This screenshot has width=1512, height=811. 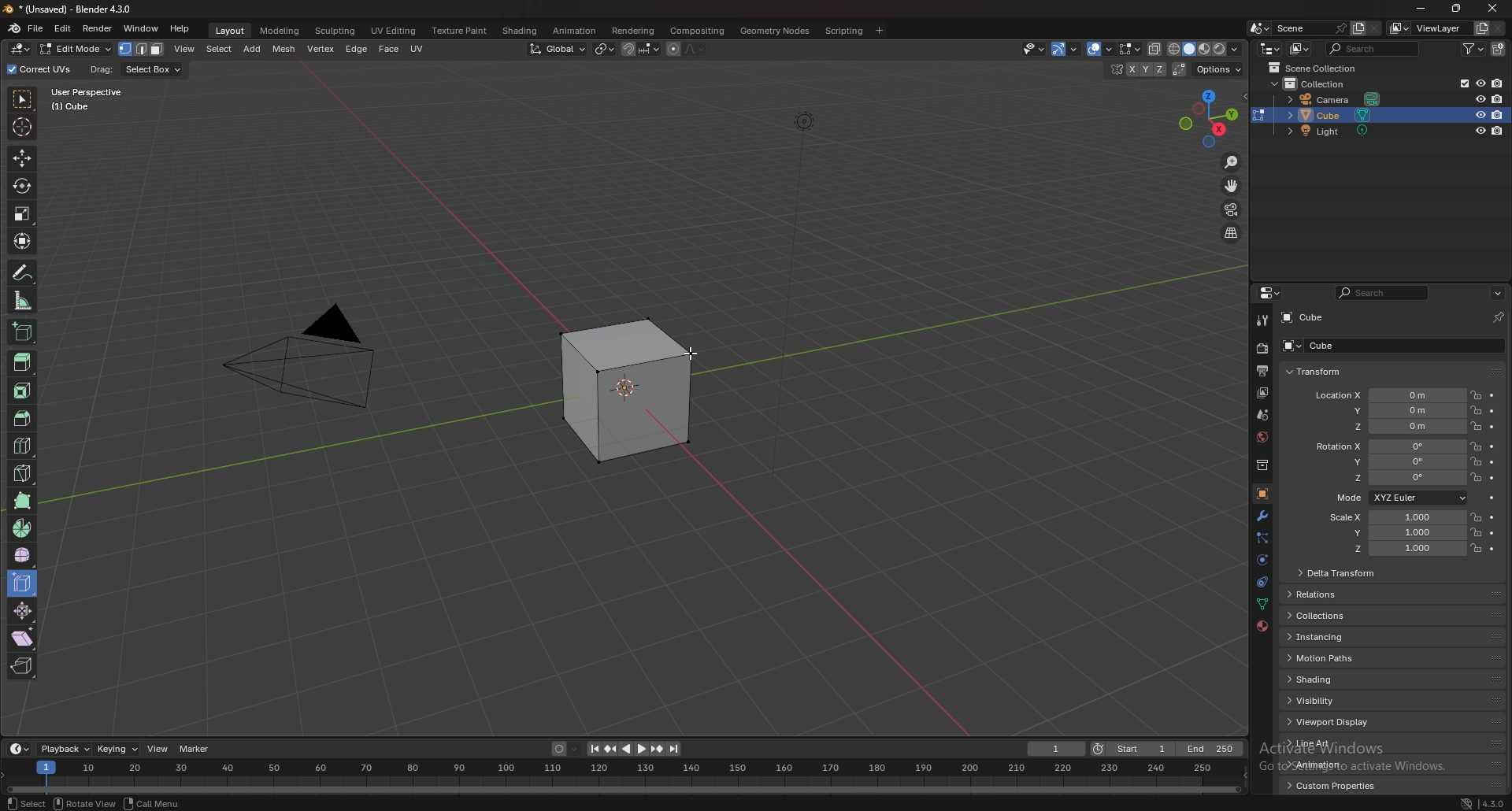 I want to click on snapping, so click(x=641, y=49).